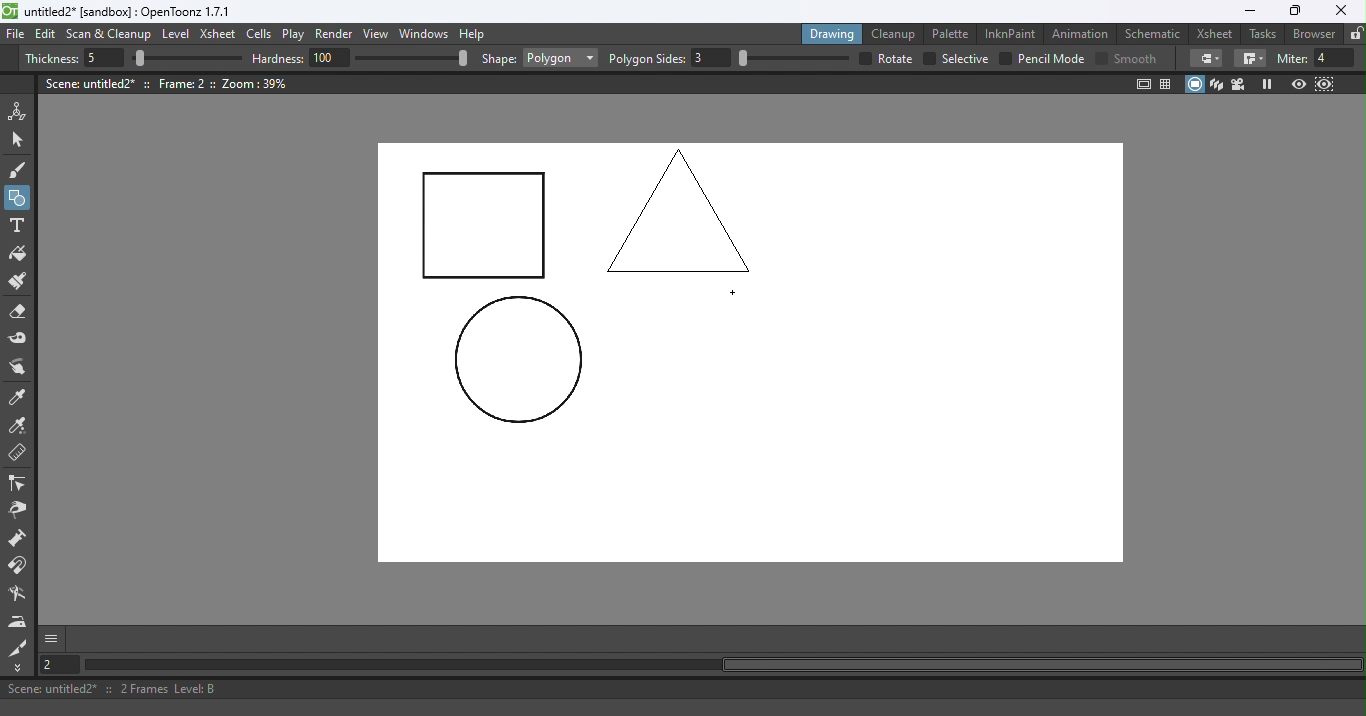 The image size is (1366, 716). What do you see at coordinates (330, 57) in the screenshot?
I see `100` at bounding box center [330, 57].